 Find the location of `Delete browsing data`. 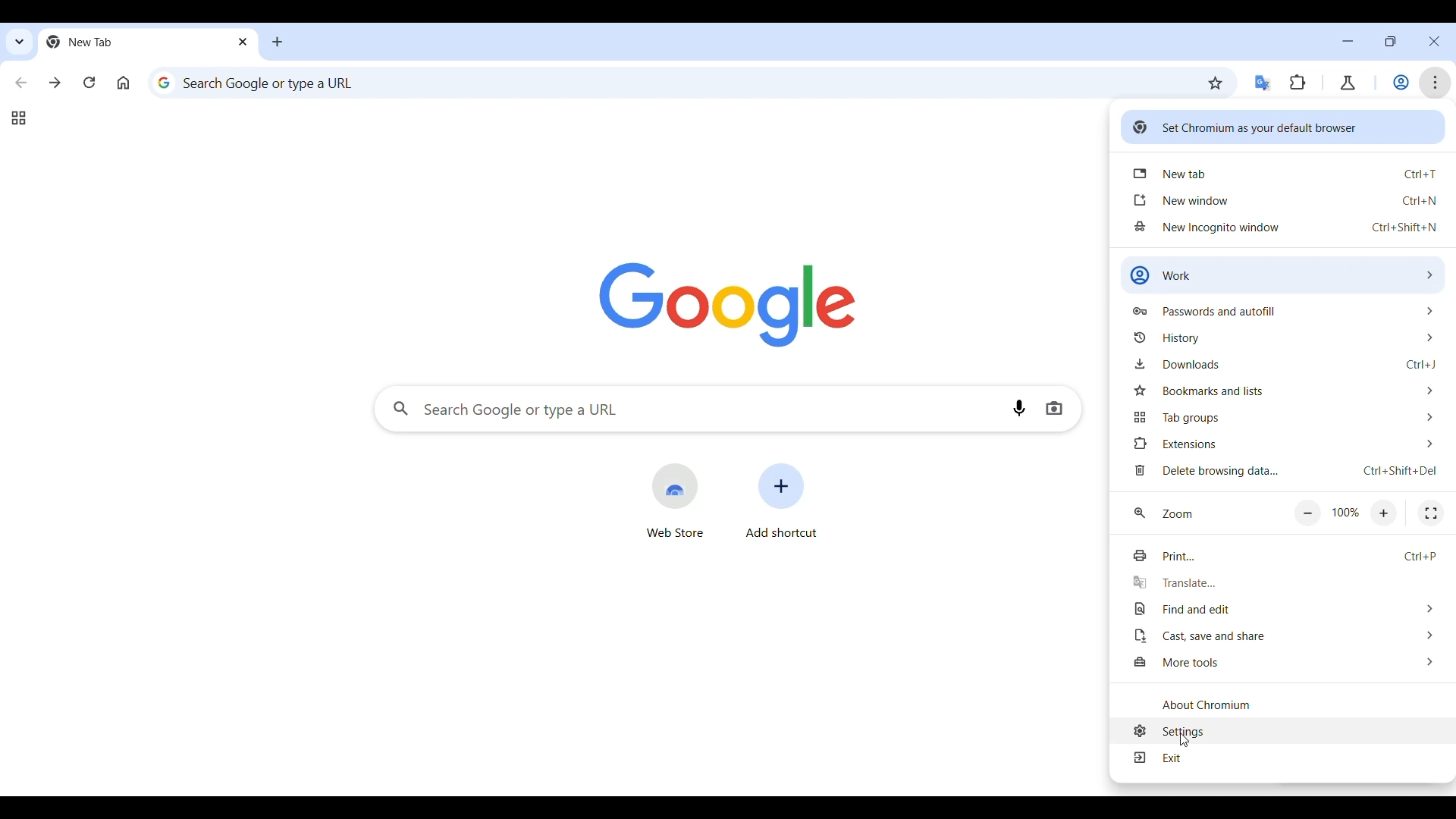

Delete browsing data is located at coordinates (1284, 472).